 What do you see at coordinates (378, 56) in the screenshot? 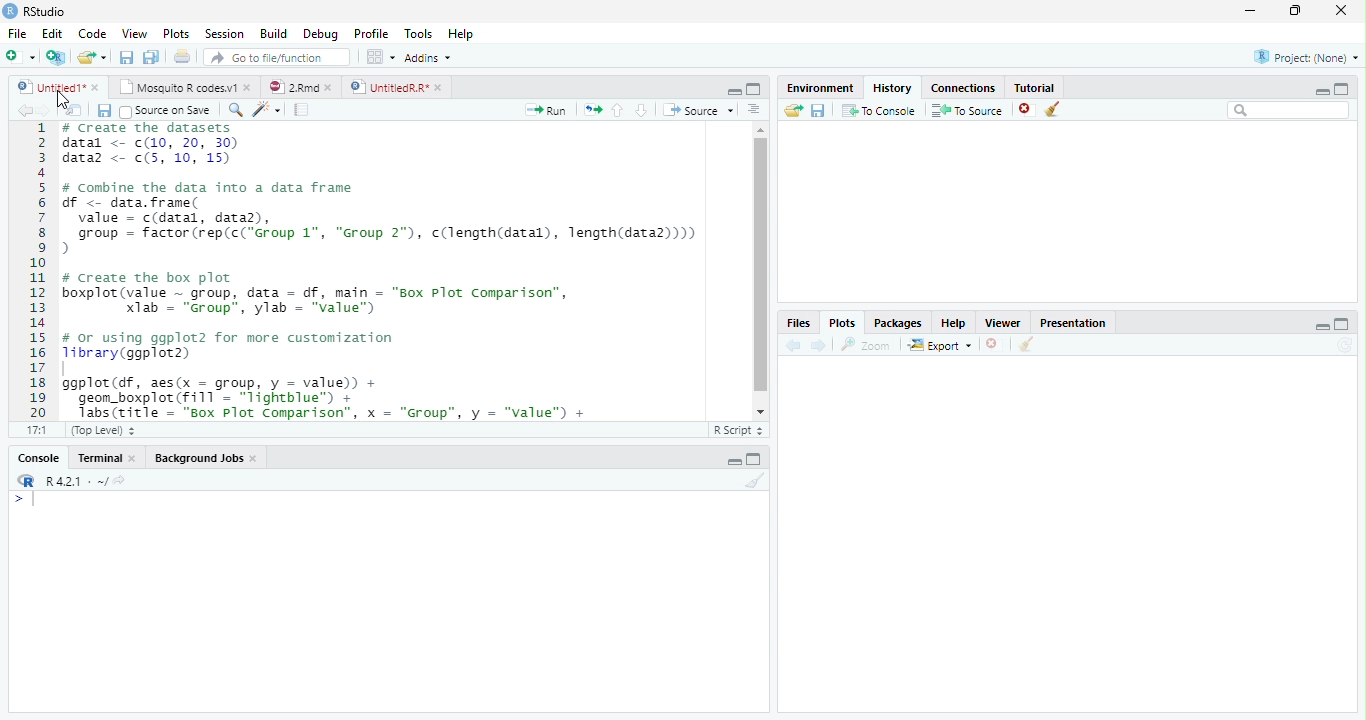
I see `Workspace panes` at bounding box center [378, 56].